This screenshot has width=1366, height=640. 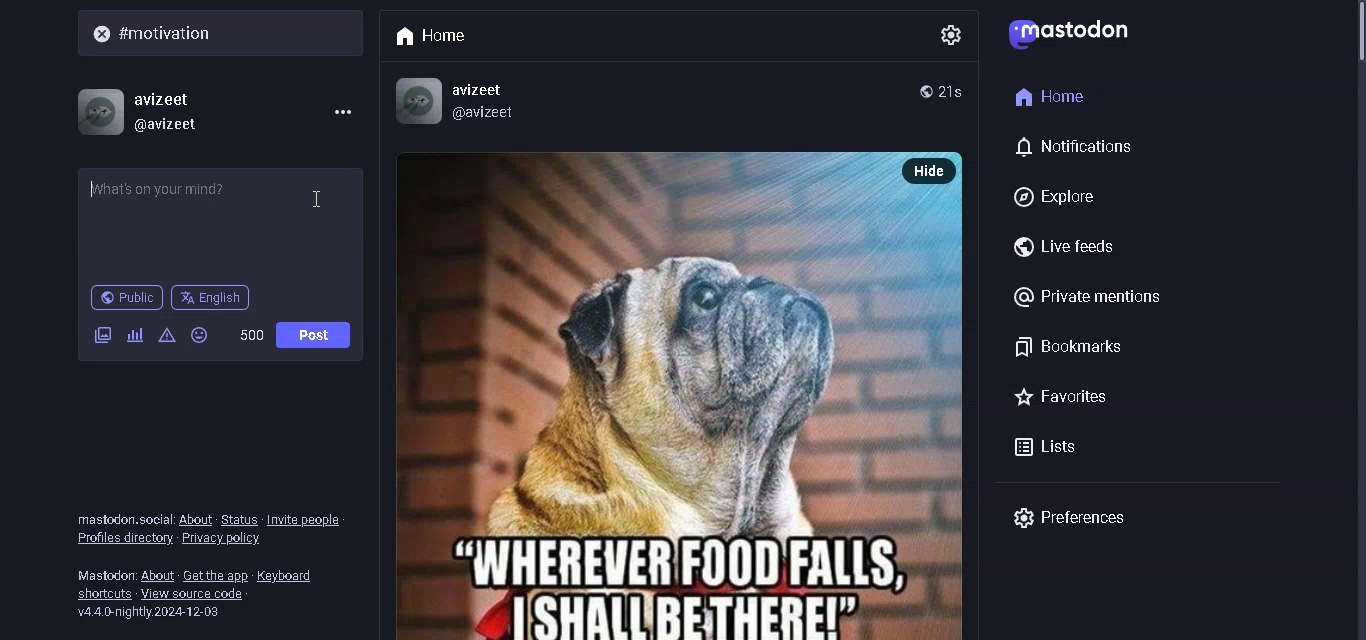 What do you see at coordinates (956, 91) in the screenshot?
I see `time posted` at bounding box center [956, 91].